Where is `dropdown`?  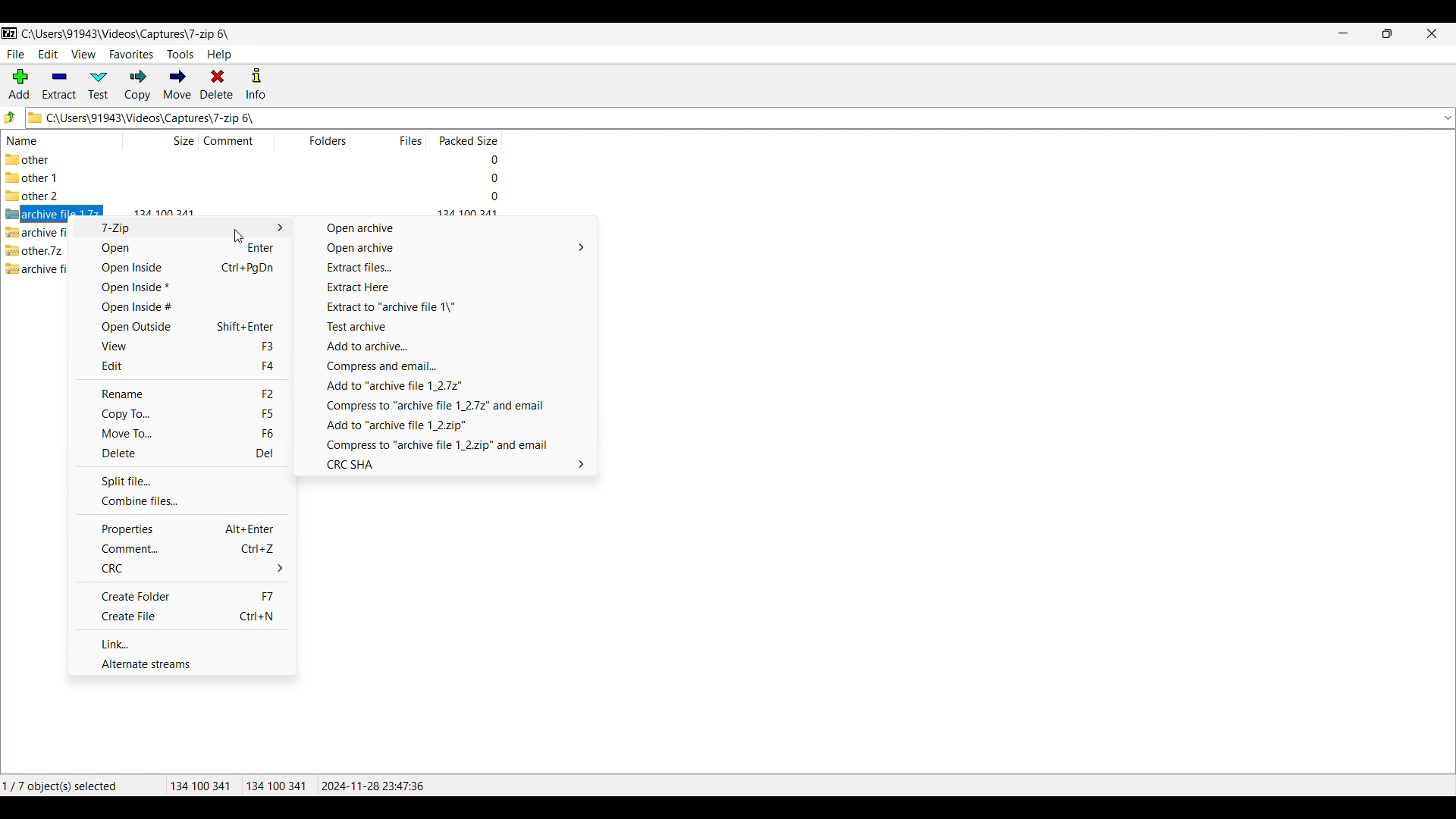
dropdown is located at coordinates (1447, 118).